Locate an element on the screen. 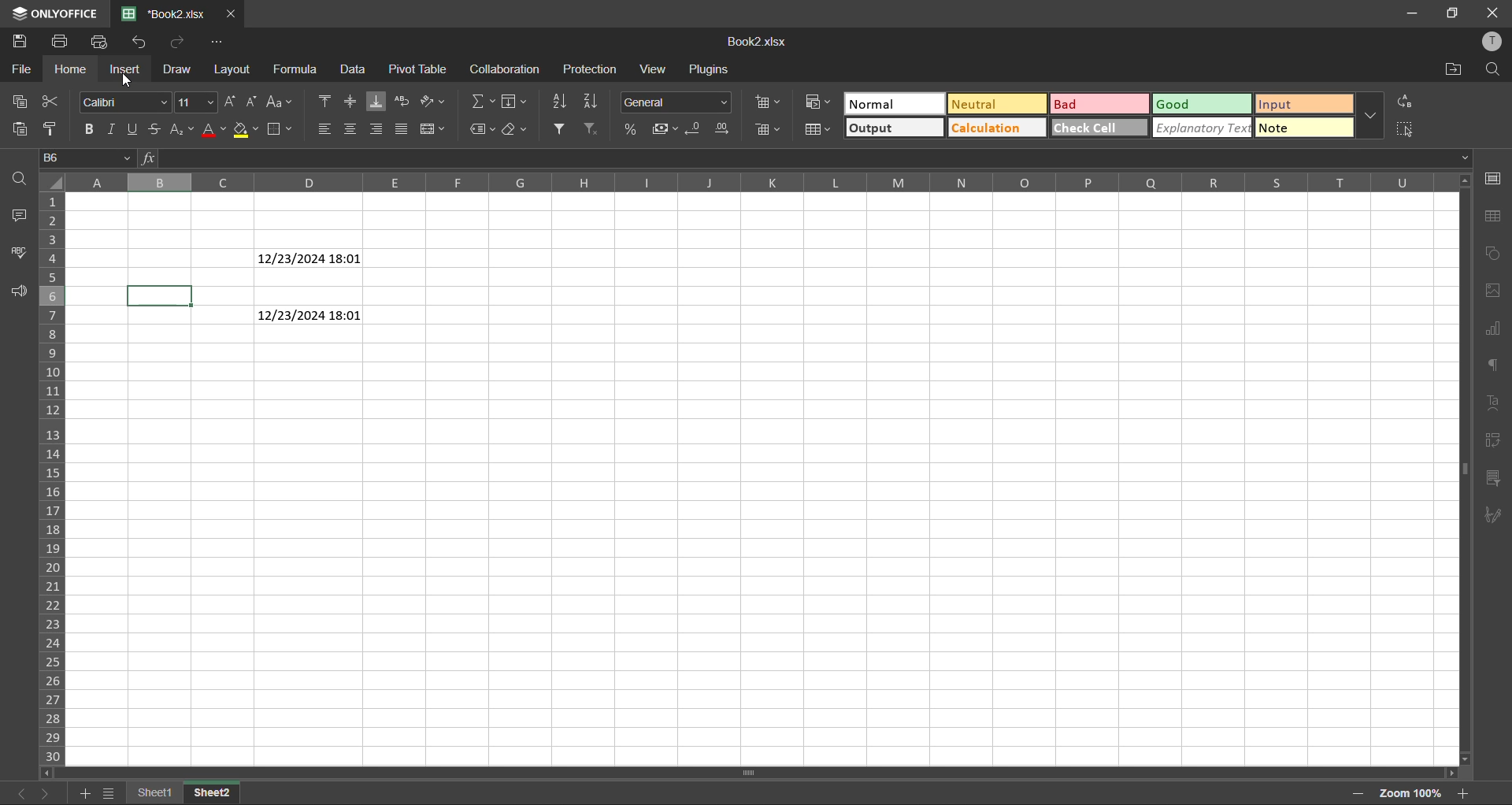 This screenshot has height=805, width=1512. add sheet is located at coordinates (84, 794).